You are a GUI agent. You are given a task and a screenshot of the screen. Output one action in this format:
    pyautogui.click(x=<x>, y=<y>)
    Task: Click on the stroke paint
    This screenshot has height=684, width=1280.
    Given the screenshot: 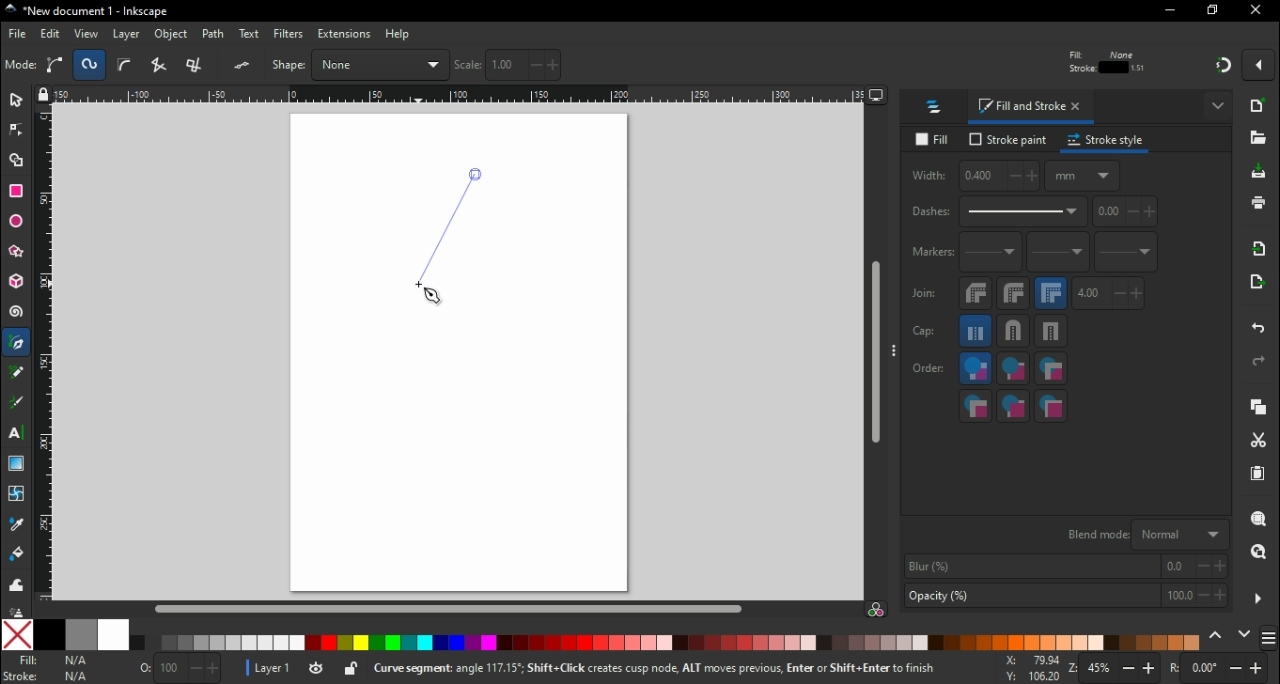 What is the action you would take?
    pyautogui.click(x=1006, y=141)
    